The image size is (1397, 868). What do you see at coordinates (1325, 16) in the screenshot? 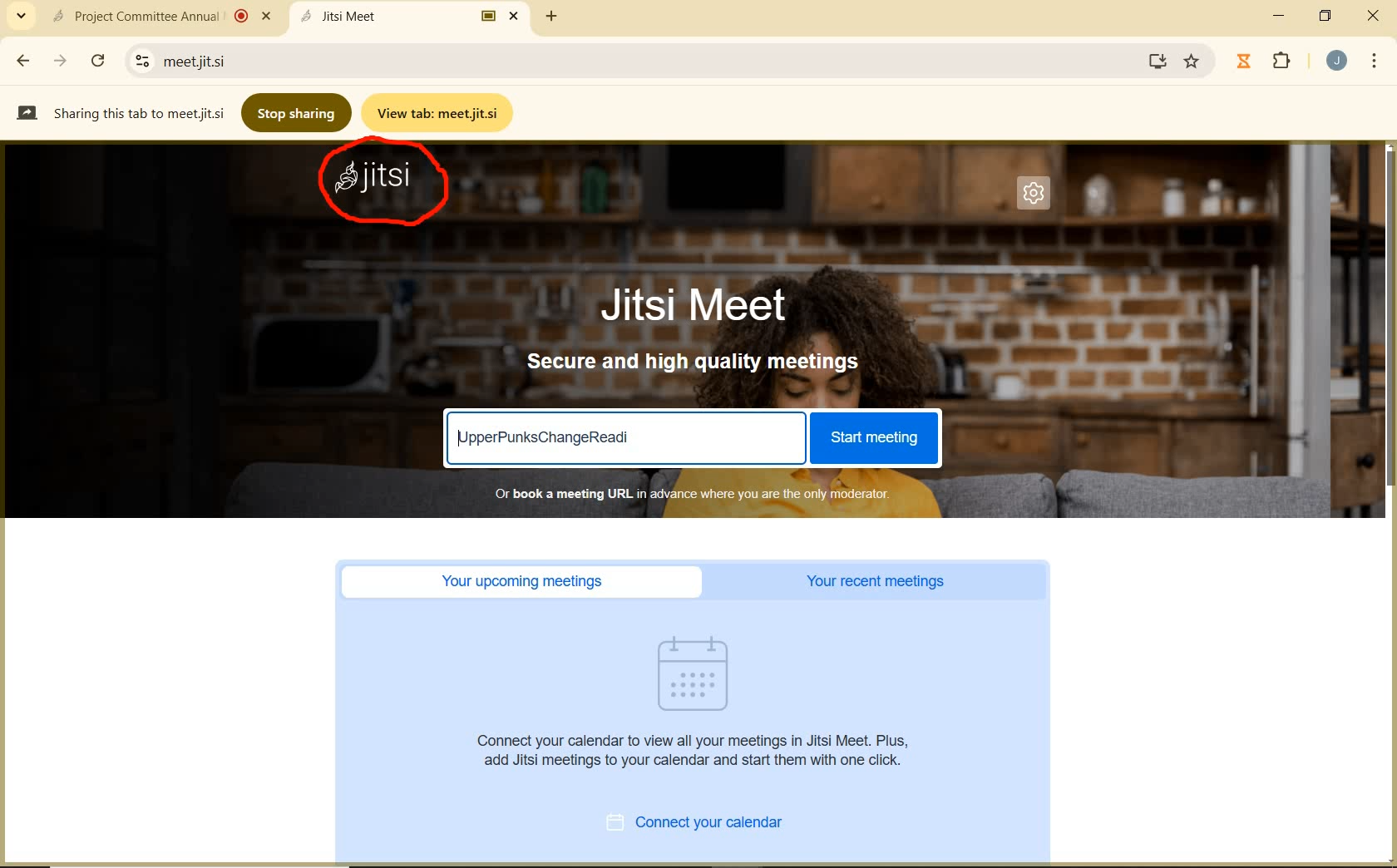
I see `RESTORE DOWN` at bounding box center [1325, 16].